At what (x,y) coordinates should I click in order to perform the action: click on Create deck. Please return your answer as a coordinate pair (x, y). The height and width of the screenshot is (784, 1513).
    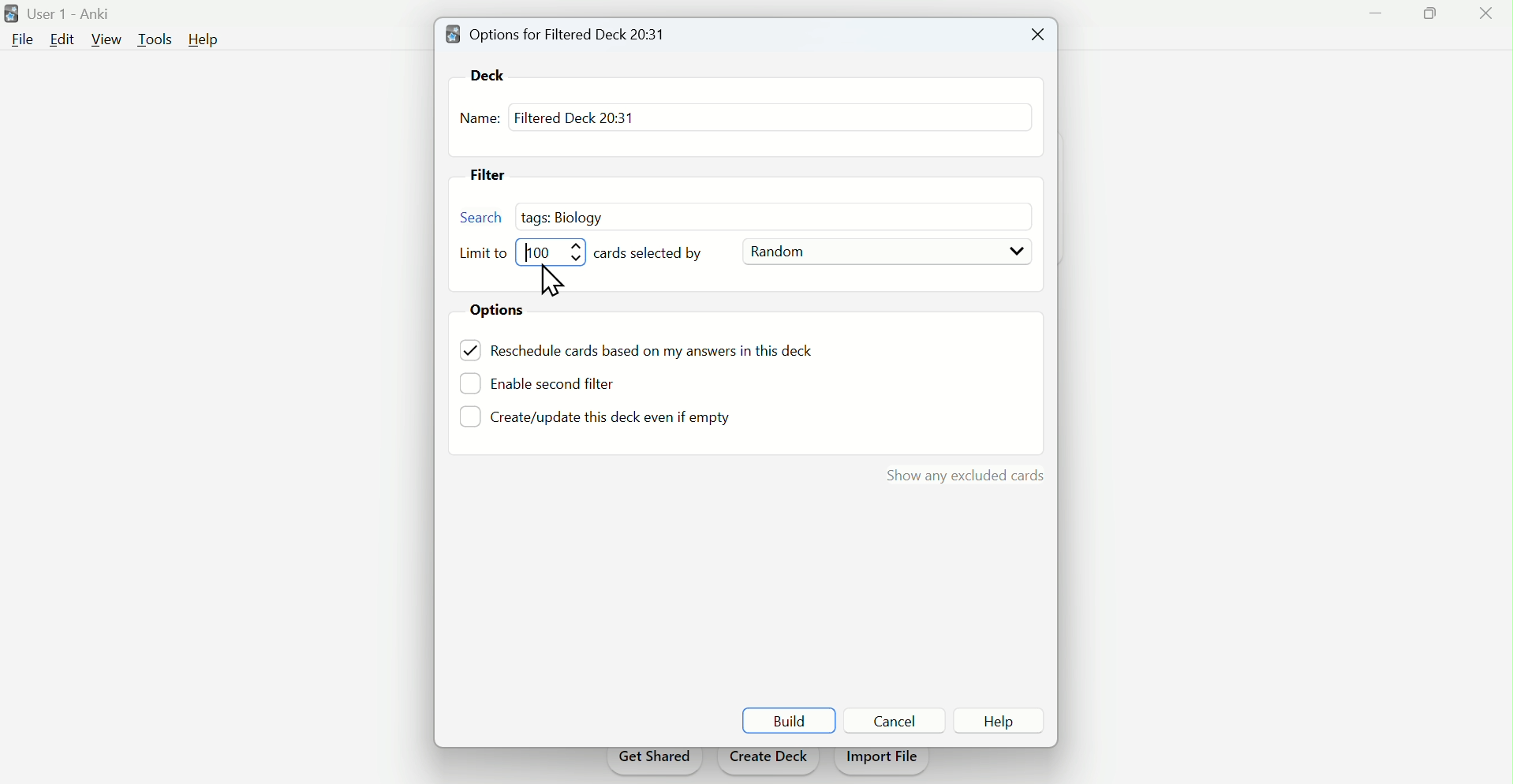
    Looking at the image, I should click on (768, 761).